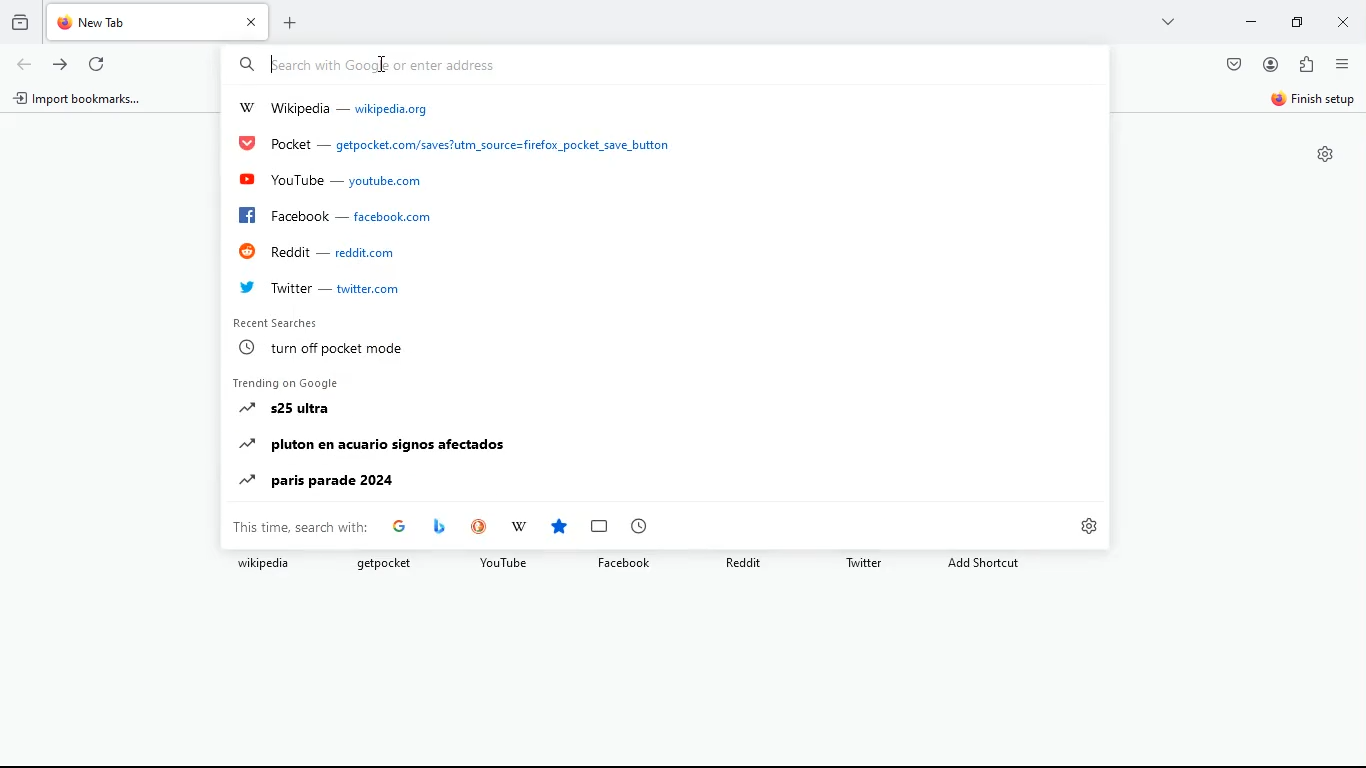 The width and height of the screenshot is (1366, 768). Describe the element at coordinates (457, 144) in the screenshot. I see `Pocket — getpocket.com/saves?utm_source=firefox_pock` at that location.